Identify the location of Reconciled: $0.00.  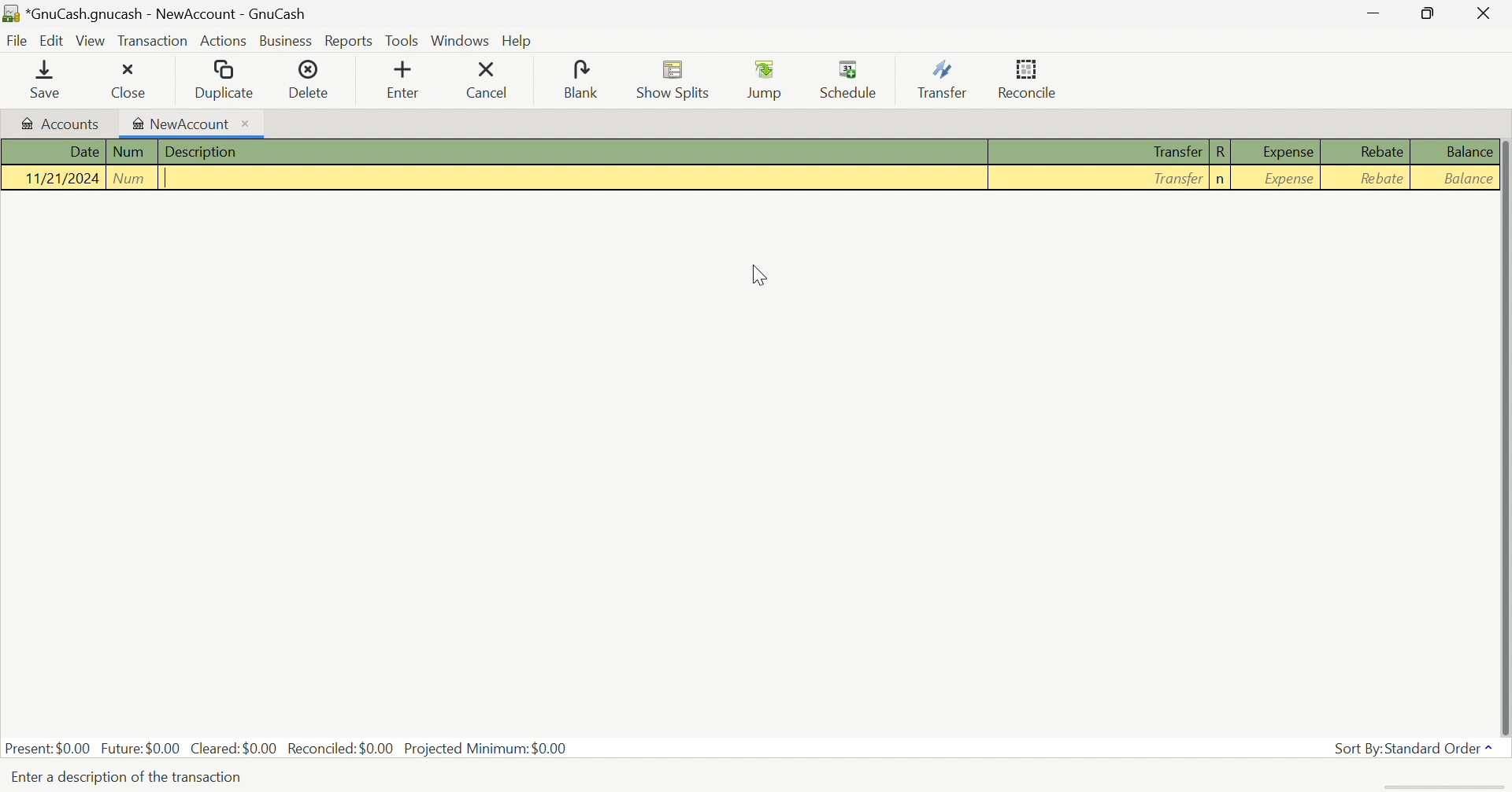
(341, 749).